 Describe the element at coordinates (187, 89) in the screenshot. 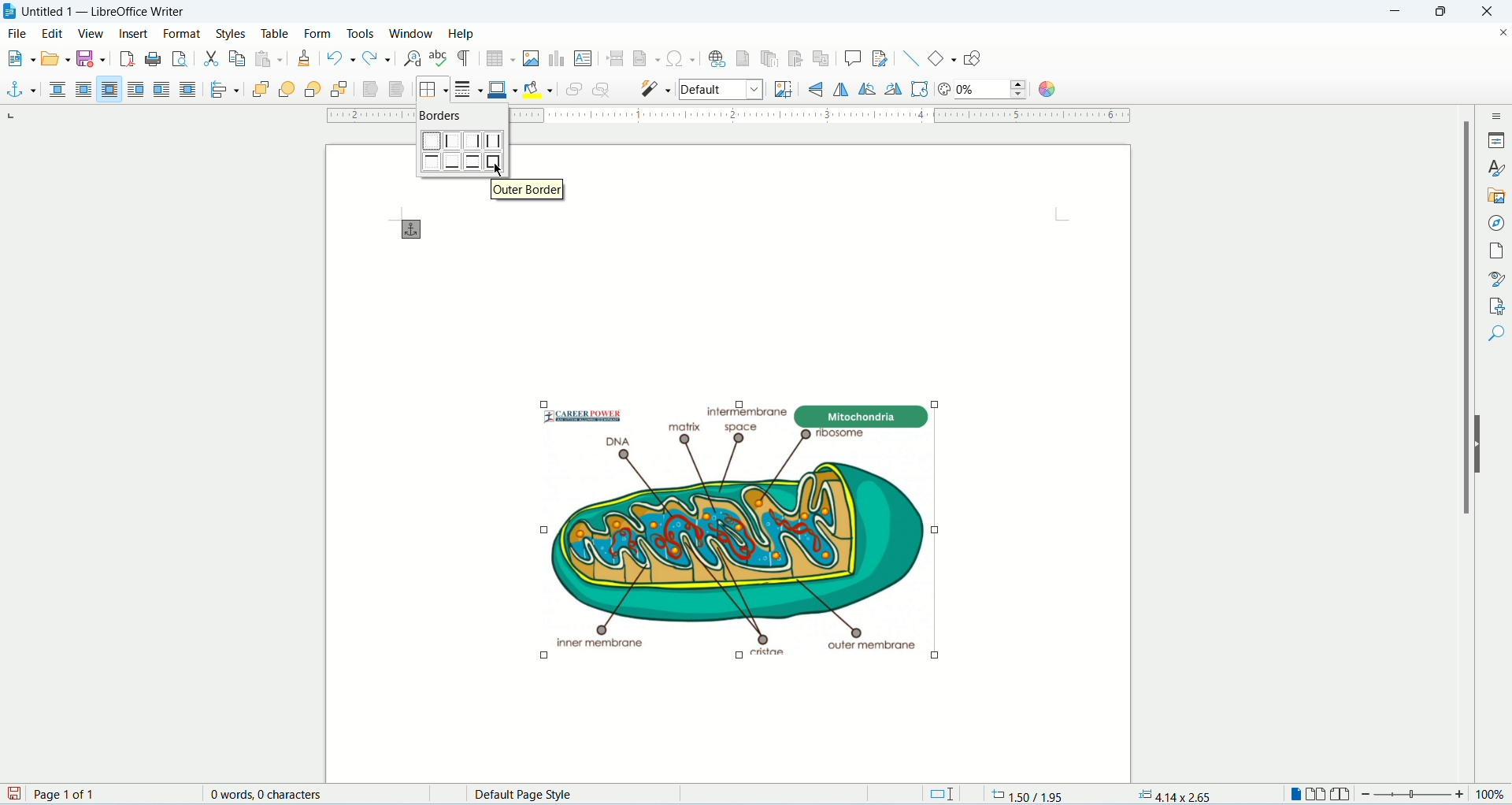

I see `through` at that location.